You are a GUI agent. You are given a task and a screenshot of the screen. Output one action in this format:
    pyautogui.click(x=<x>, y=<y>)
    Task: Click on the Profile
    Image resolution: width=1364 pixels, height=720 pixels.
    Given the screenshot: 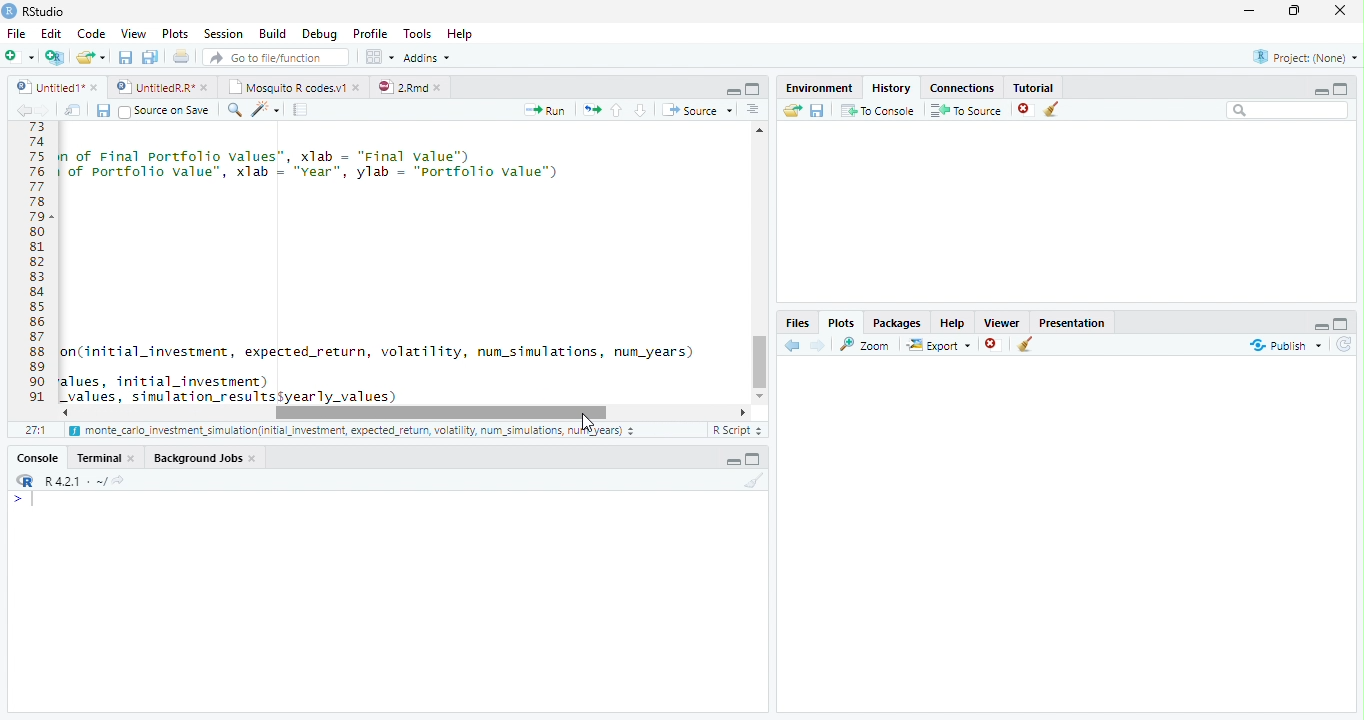 What is the action you would take?
    pyautogui.click(x=369, y=33)
    